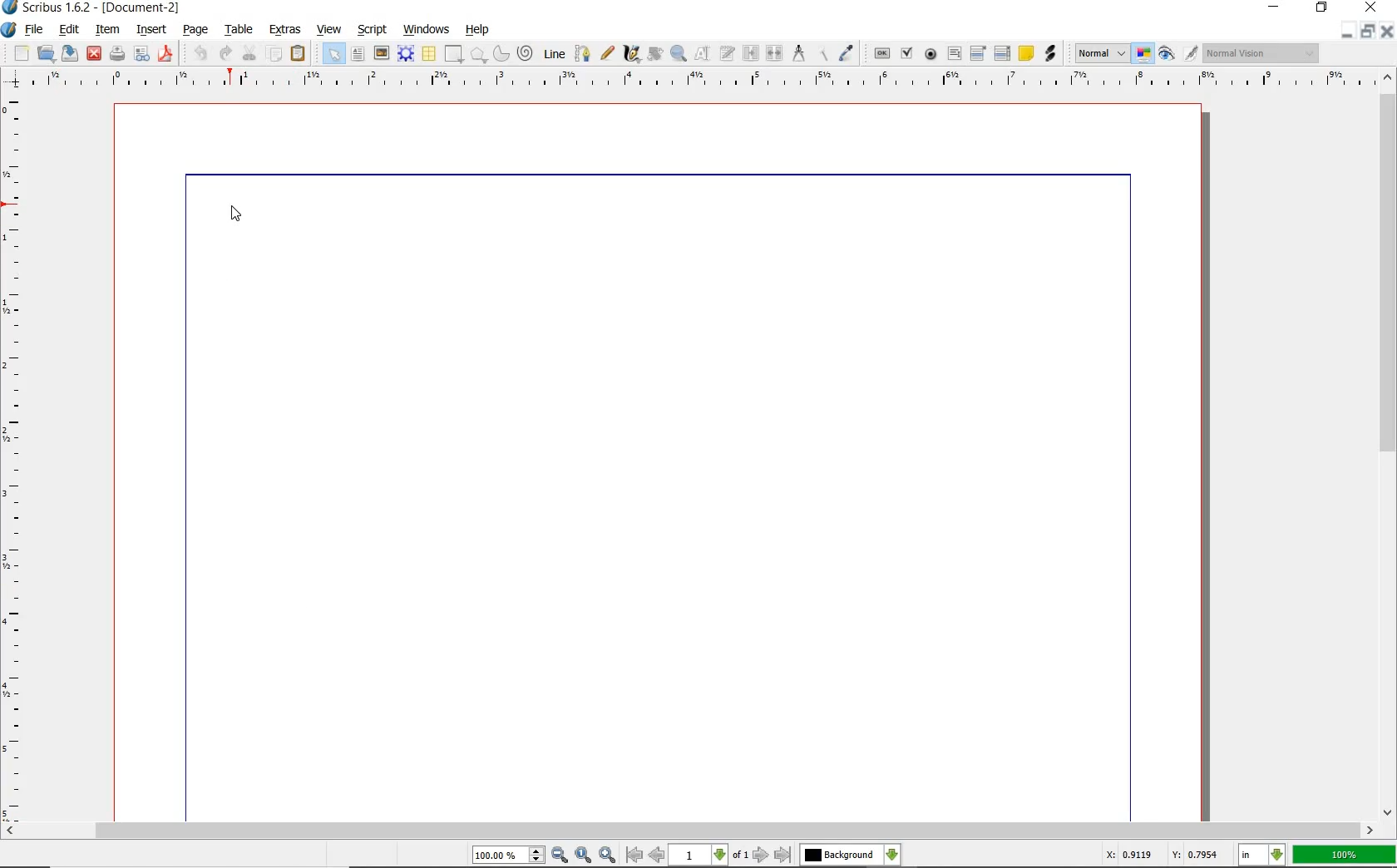 The height and width of the screenshot is (868, 1397). What do you see at coordinates (555, 55) in the screenshot?
I see `line` at bounding box center [555, 55].